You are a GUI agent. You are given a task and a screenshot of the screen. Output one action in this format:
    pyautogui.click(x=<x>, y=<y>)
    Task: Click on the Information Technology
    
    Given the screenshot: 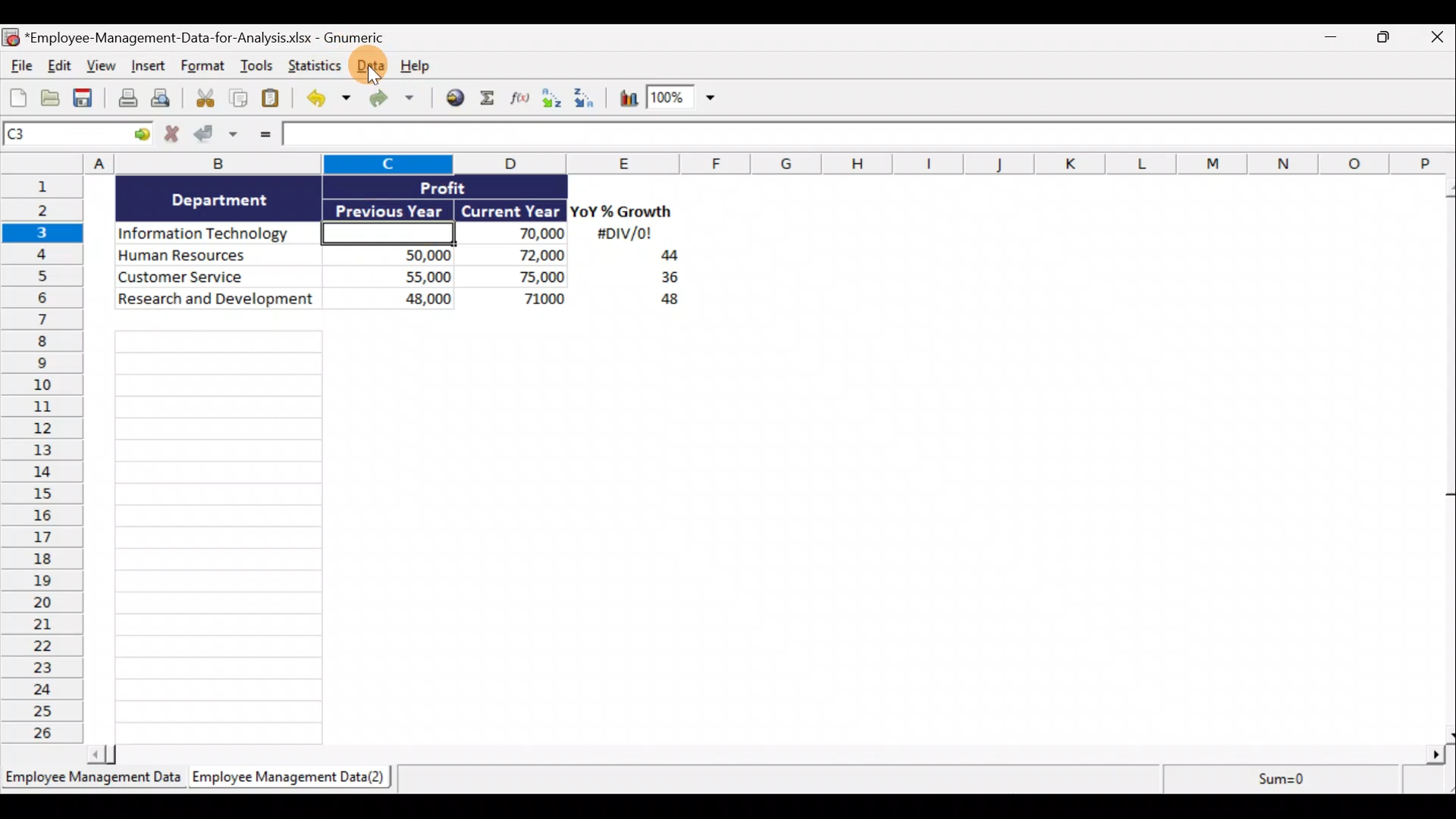 What is the action you would take?
    pyautogui.click(x=218, y=234)
    